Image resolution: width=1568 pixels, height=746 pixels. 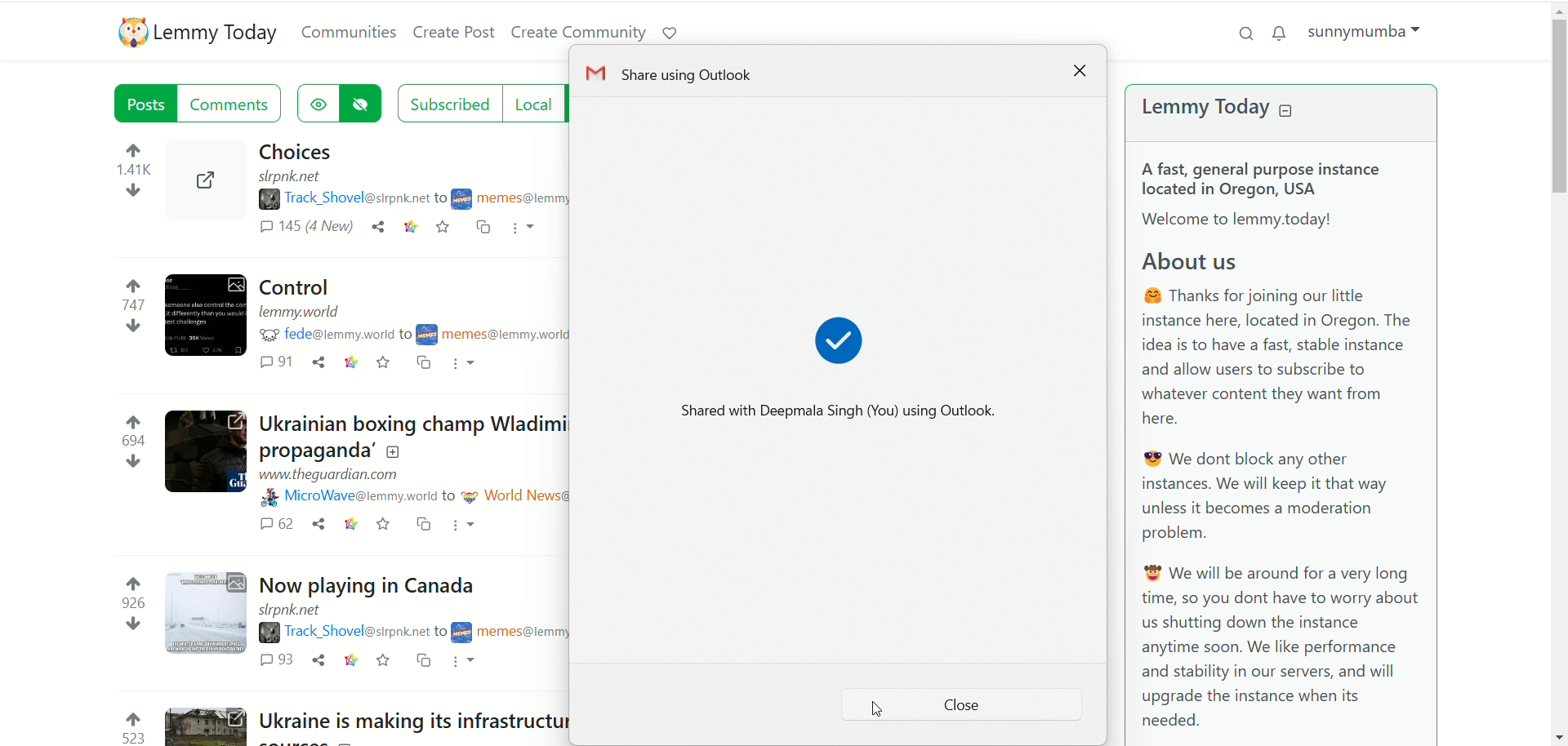 I want to click on Post on "Choices", so click(x=296, y=150).